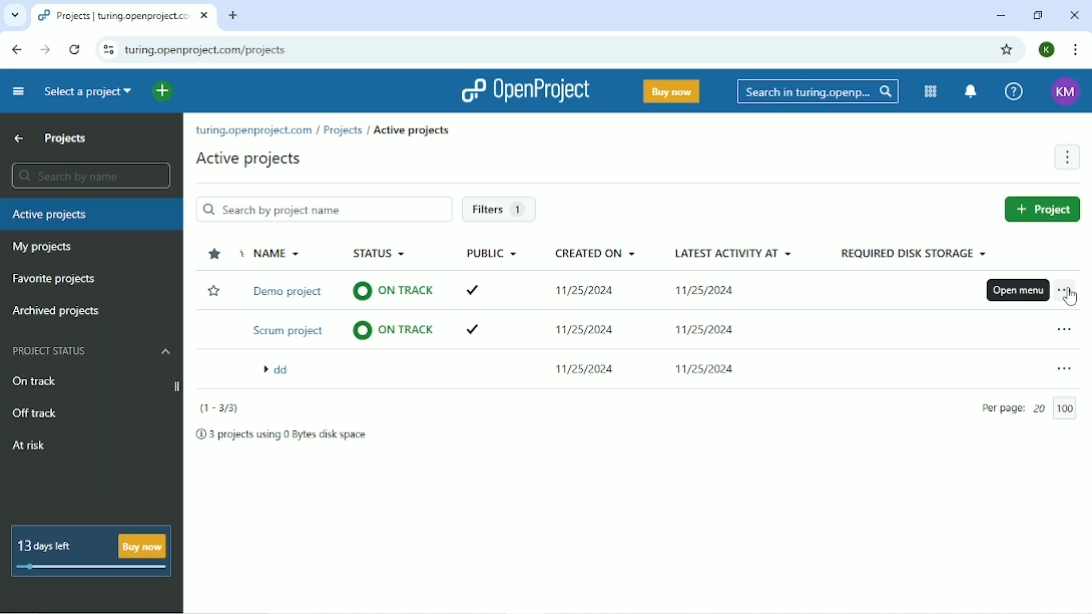 The width and height of the screenshot is (1092, 614). Describe the element at coordinates (292, 292) in the screenshot. I see `Demo project` at that location.